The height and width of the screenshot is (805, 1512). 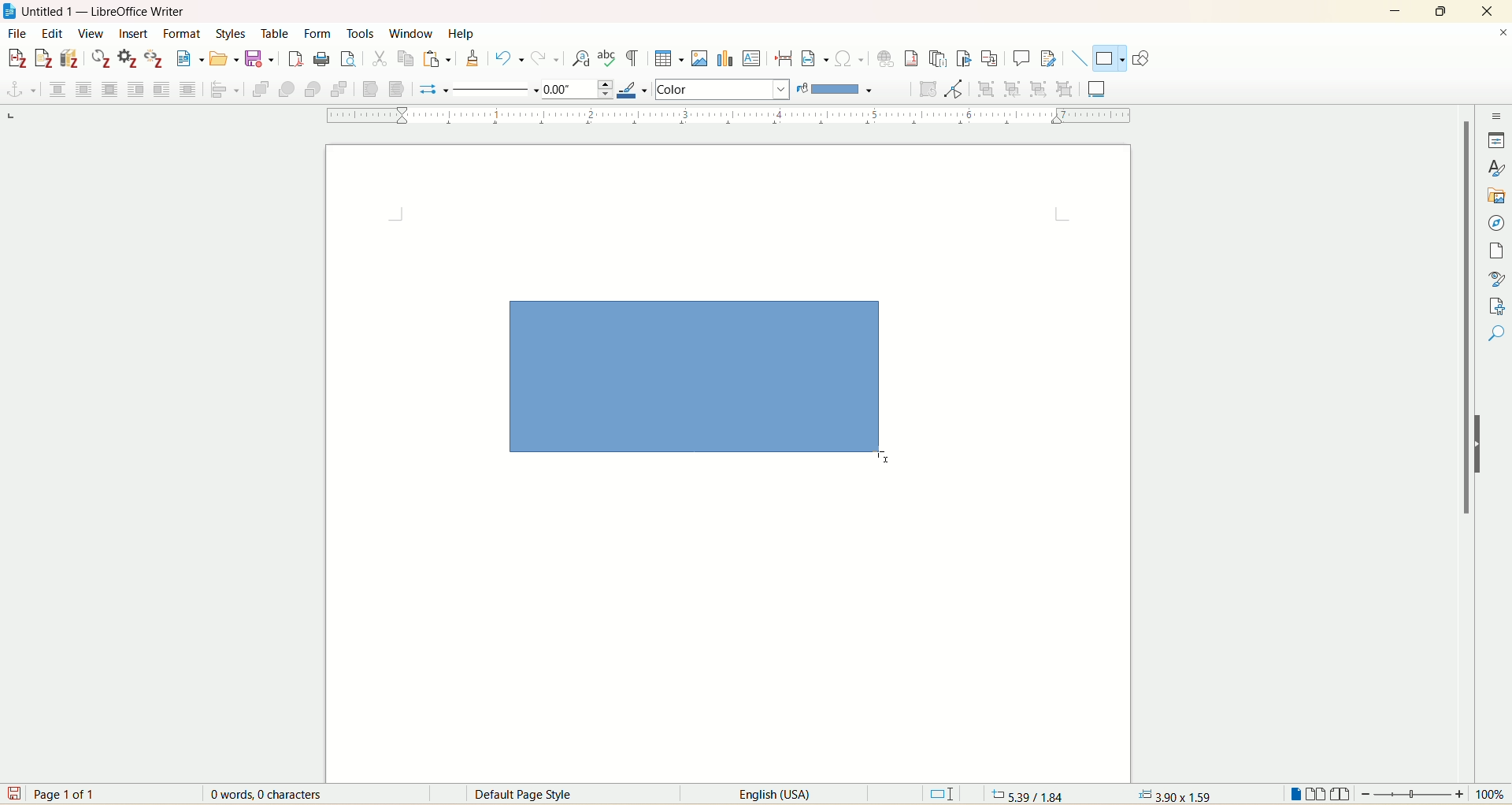 I want to click on show draw functions, so click(x=1143, y=57).